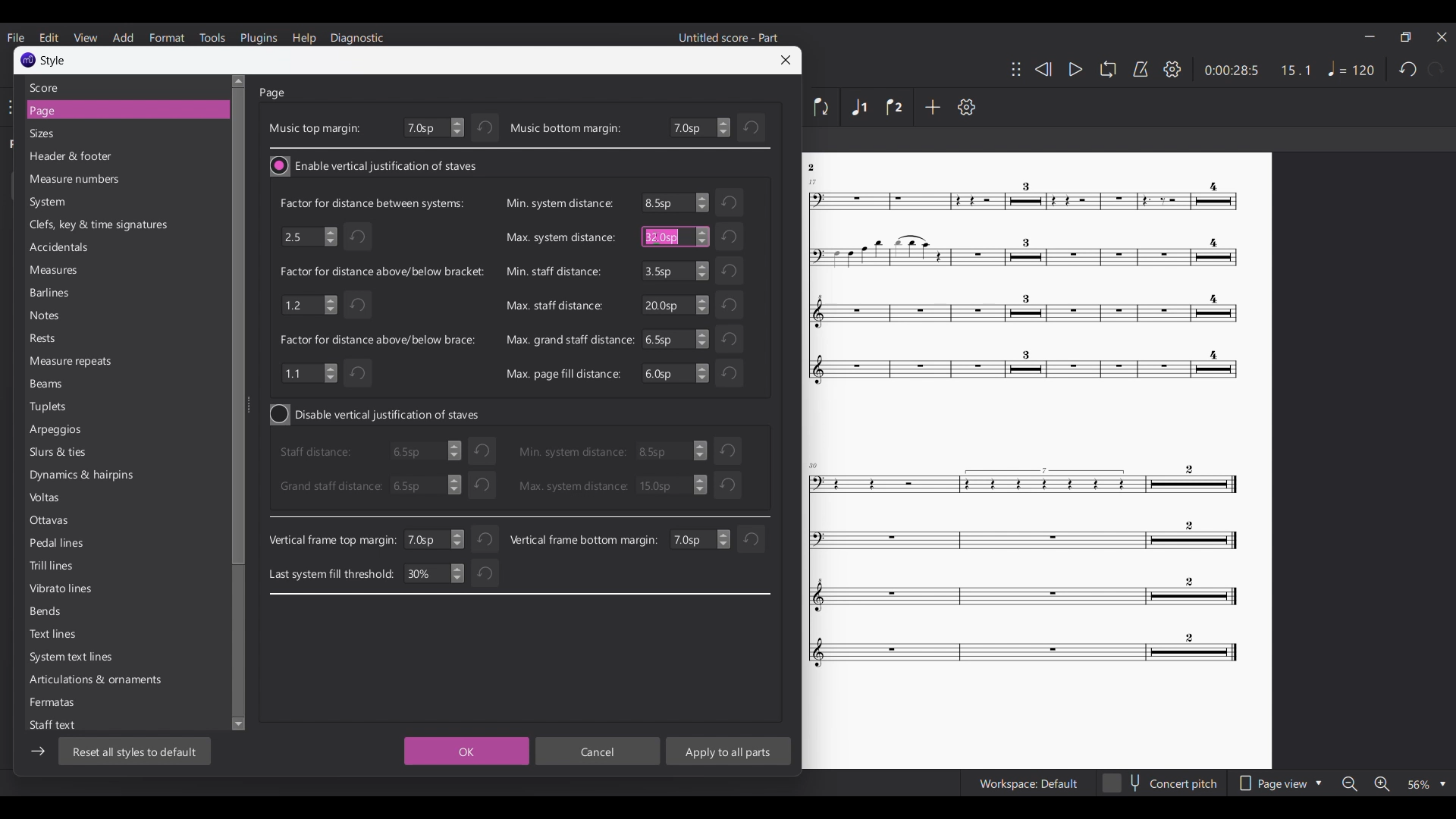  What do you see at coordinates (49, 36) in the screenshot?
I see `Edit menu` at bounding box center [49, 36].